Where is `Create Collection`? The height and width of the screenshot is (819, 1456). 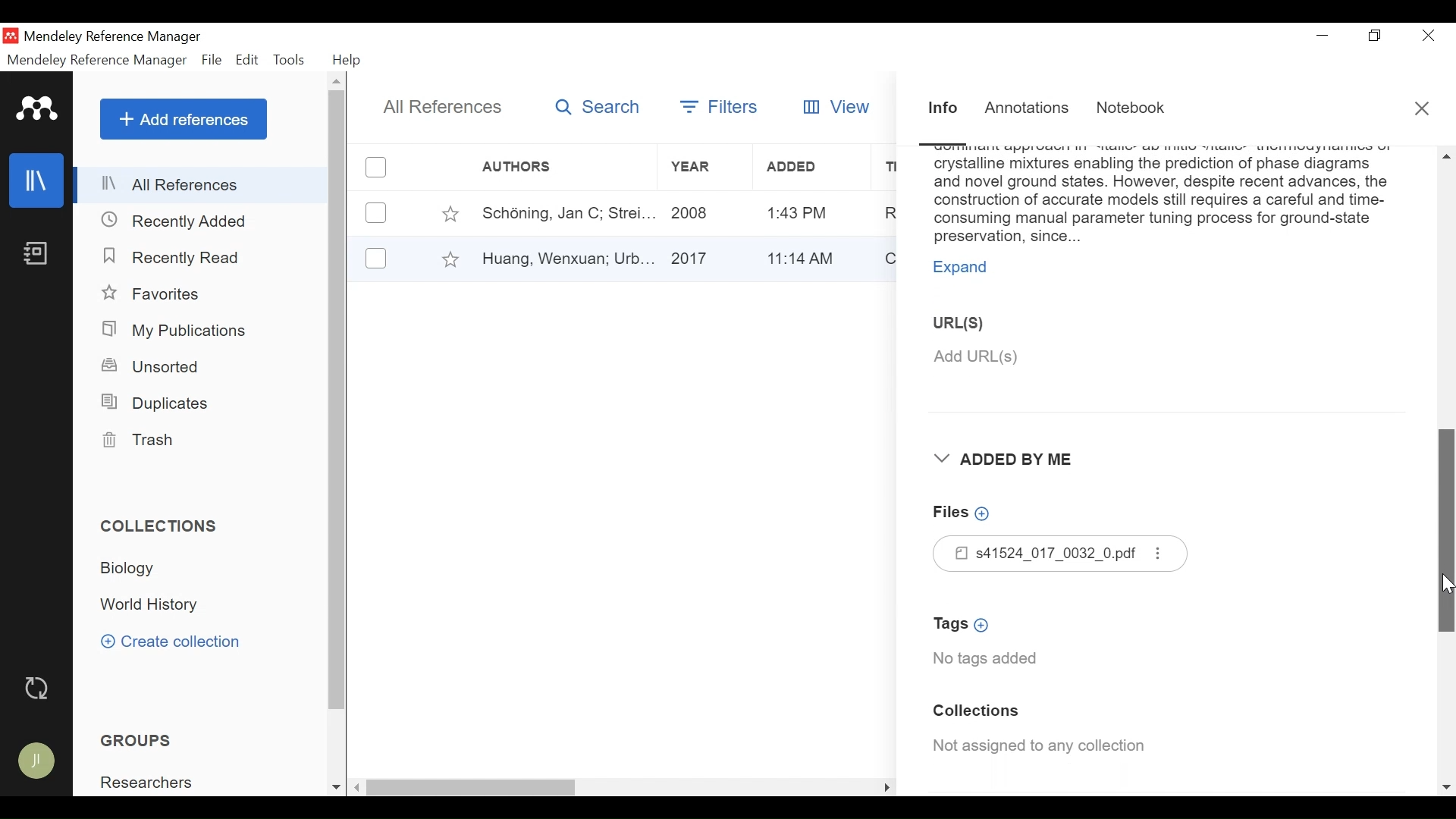 Create Collection is located at coordinates (171, 641).